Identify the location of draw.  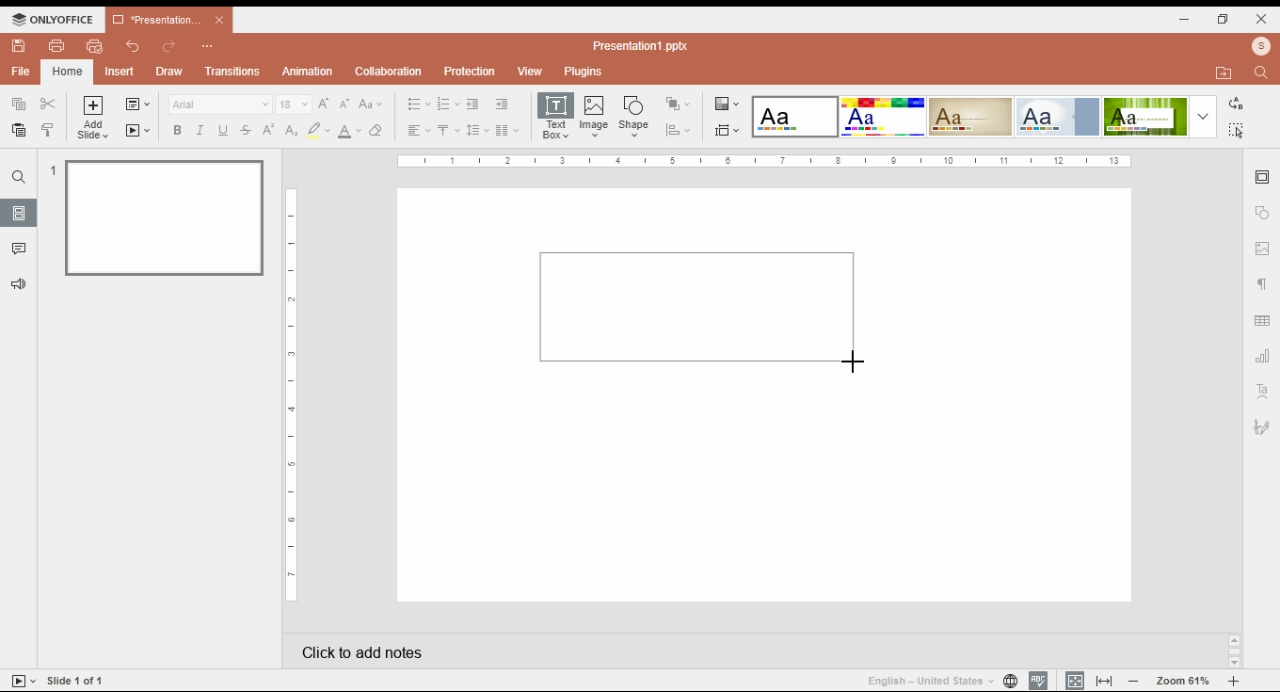
(169, 72).